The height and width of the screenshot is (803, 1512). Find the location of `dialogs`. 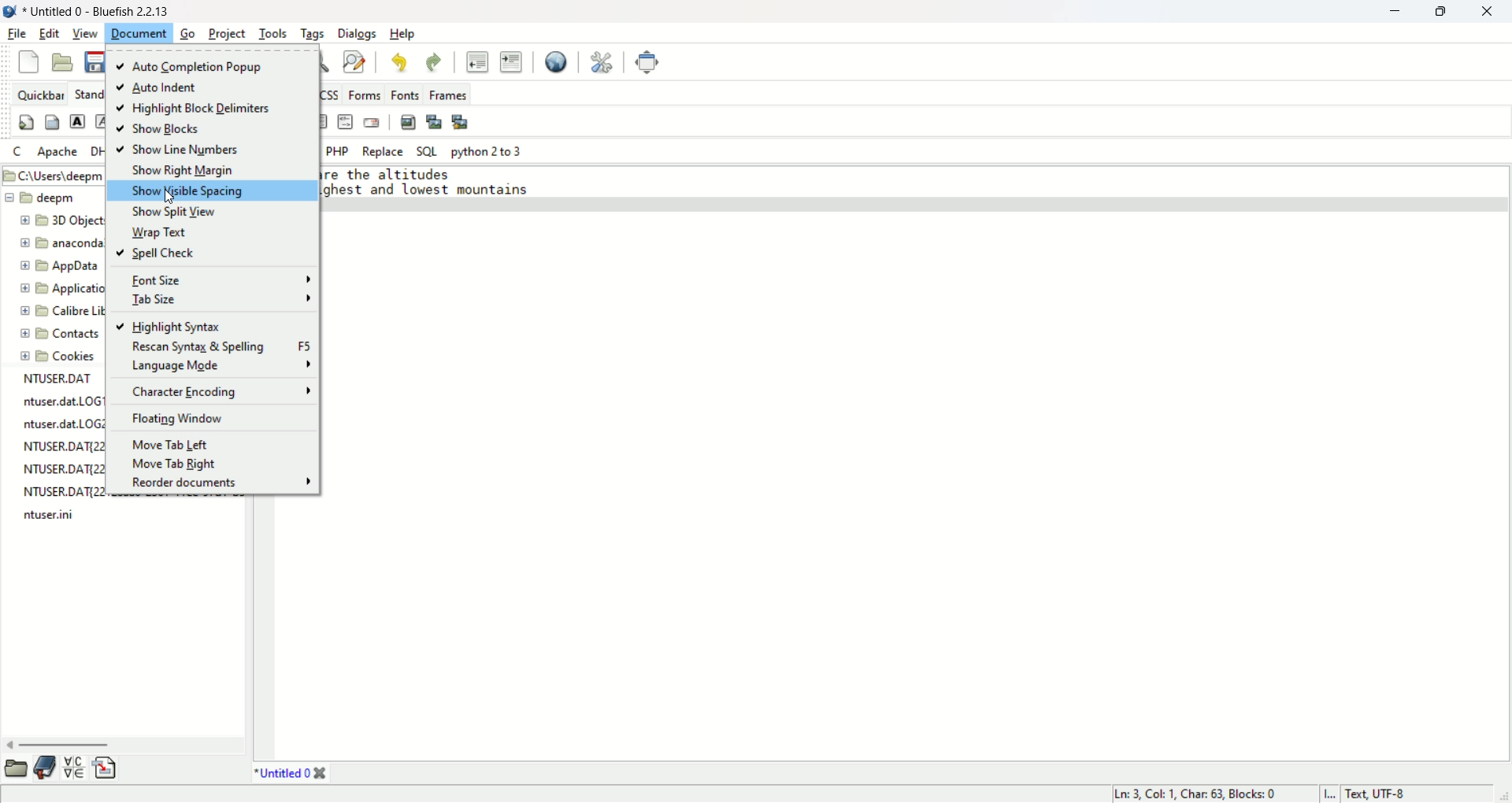

dialogs is located at coordinates (359, 35).